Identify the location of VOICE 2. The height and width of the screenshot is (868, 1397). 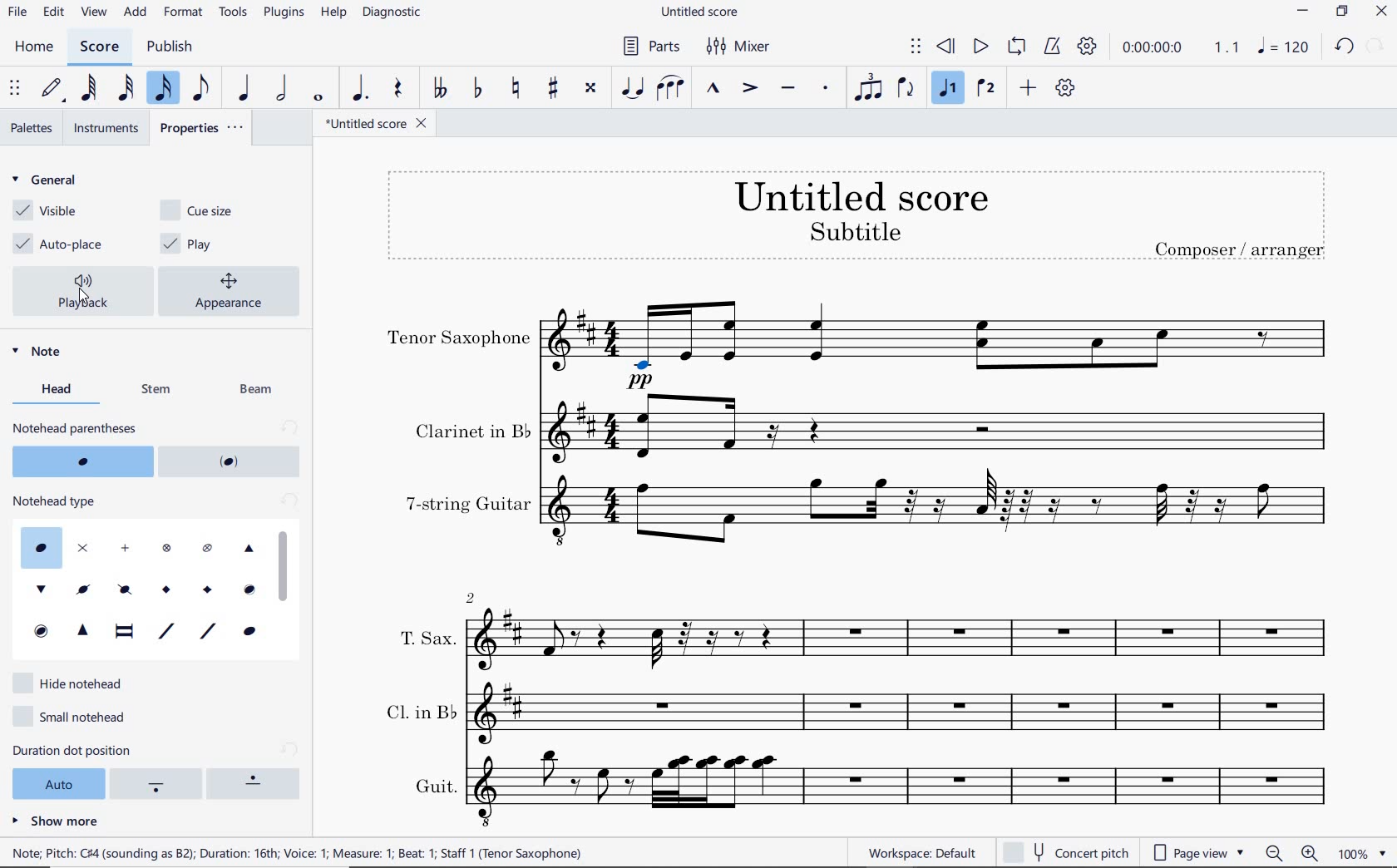
(988, 88).